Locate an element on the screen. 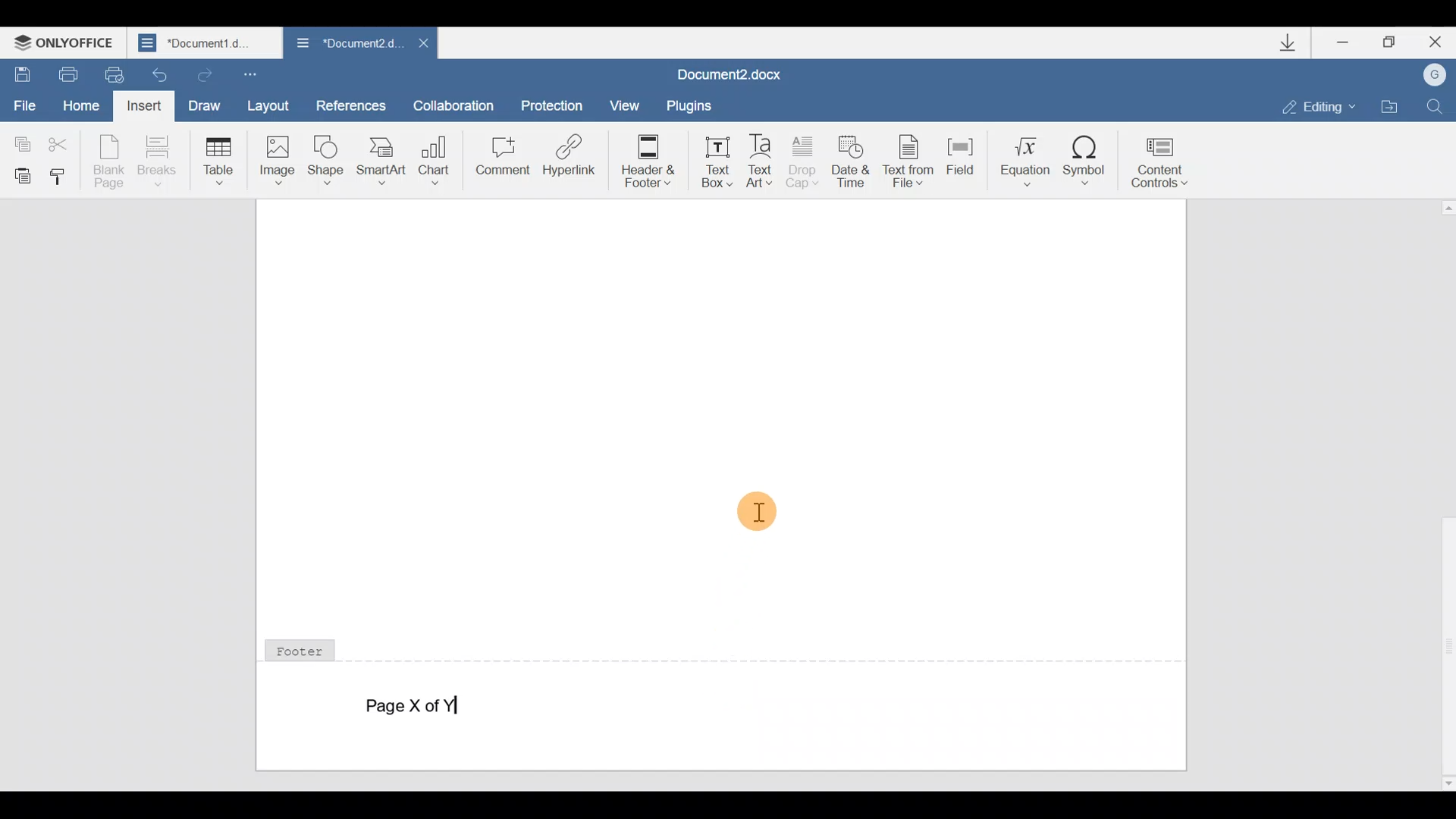  Hyperlink is located at coordinates (570, 160).